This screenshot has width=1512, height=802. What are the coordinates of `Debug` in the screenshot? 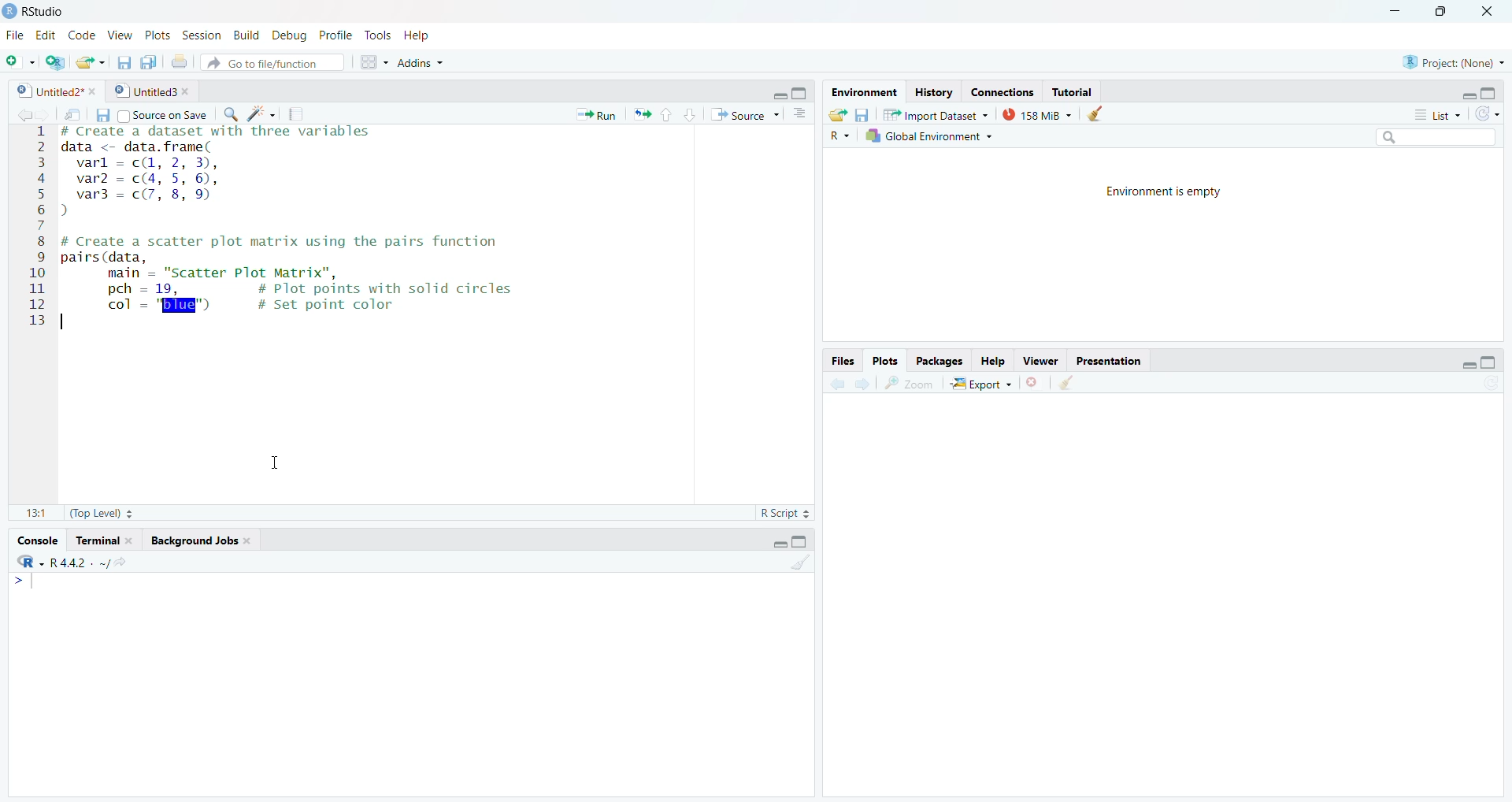 It's located at (289, 33).